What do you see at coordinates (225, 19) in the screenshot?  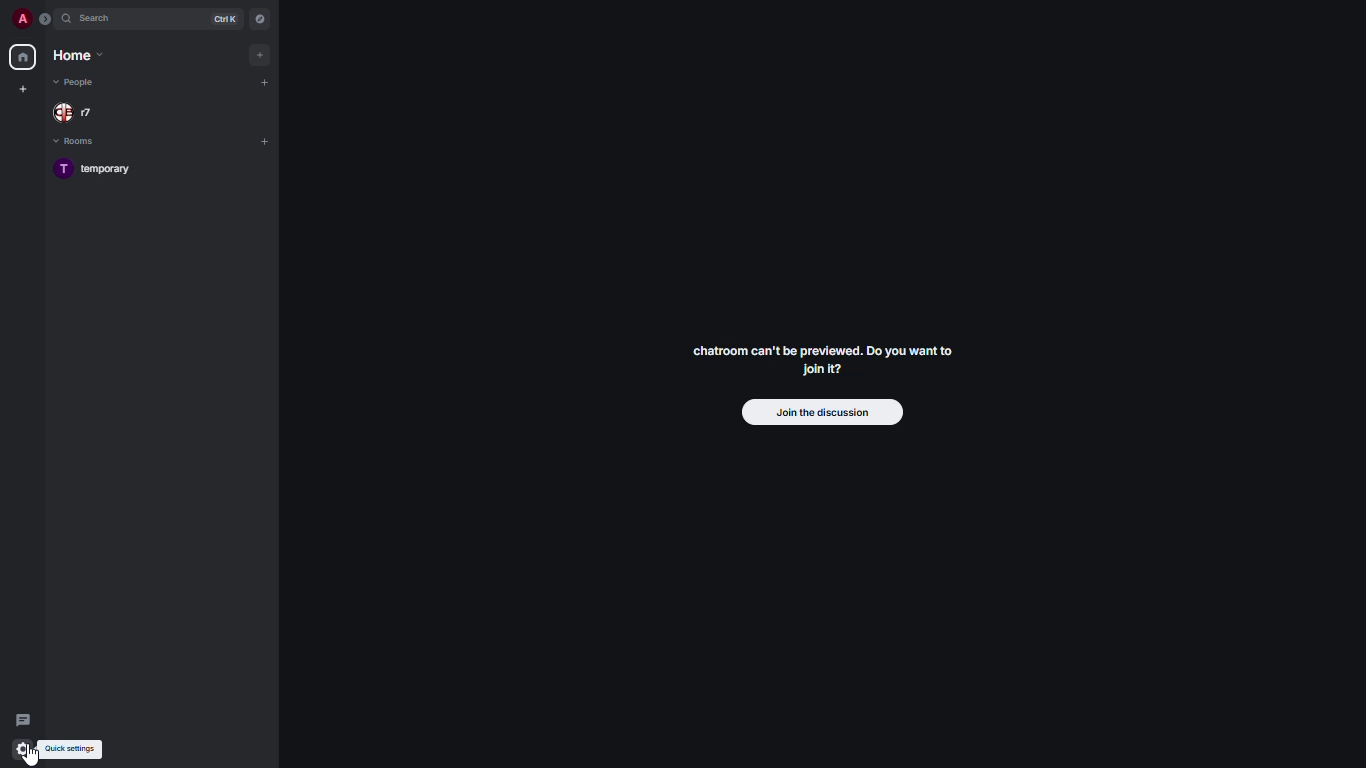 I see `ctrl K` at bounding box center [225, 19].